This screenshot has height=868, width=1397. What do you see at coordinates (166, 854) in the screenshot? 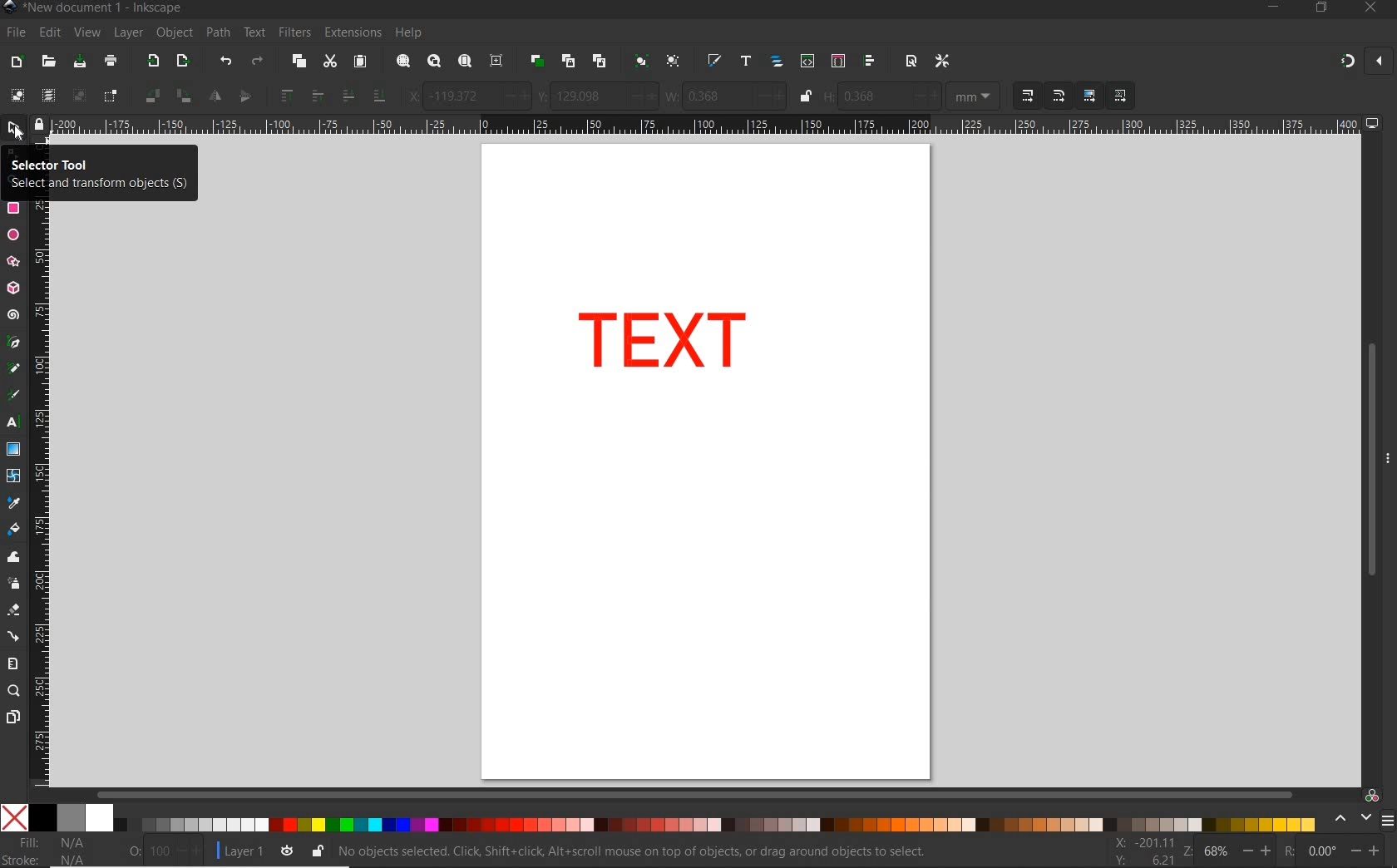
I see `NOTHING SELECTED` at bounding box center [166, 854].